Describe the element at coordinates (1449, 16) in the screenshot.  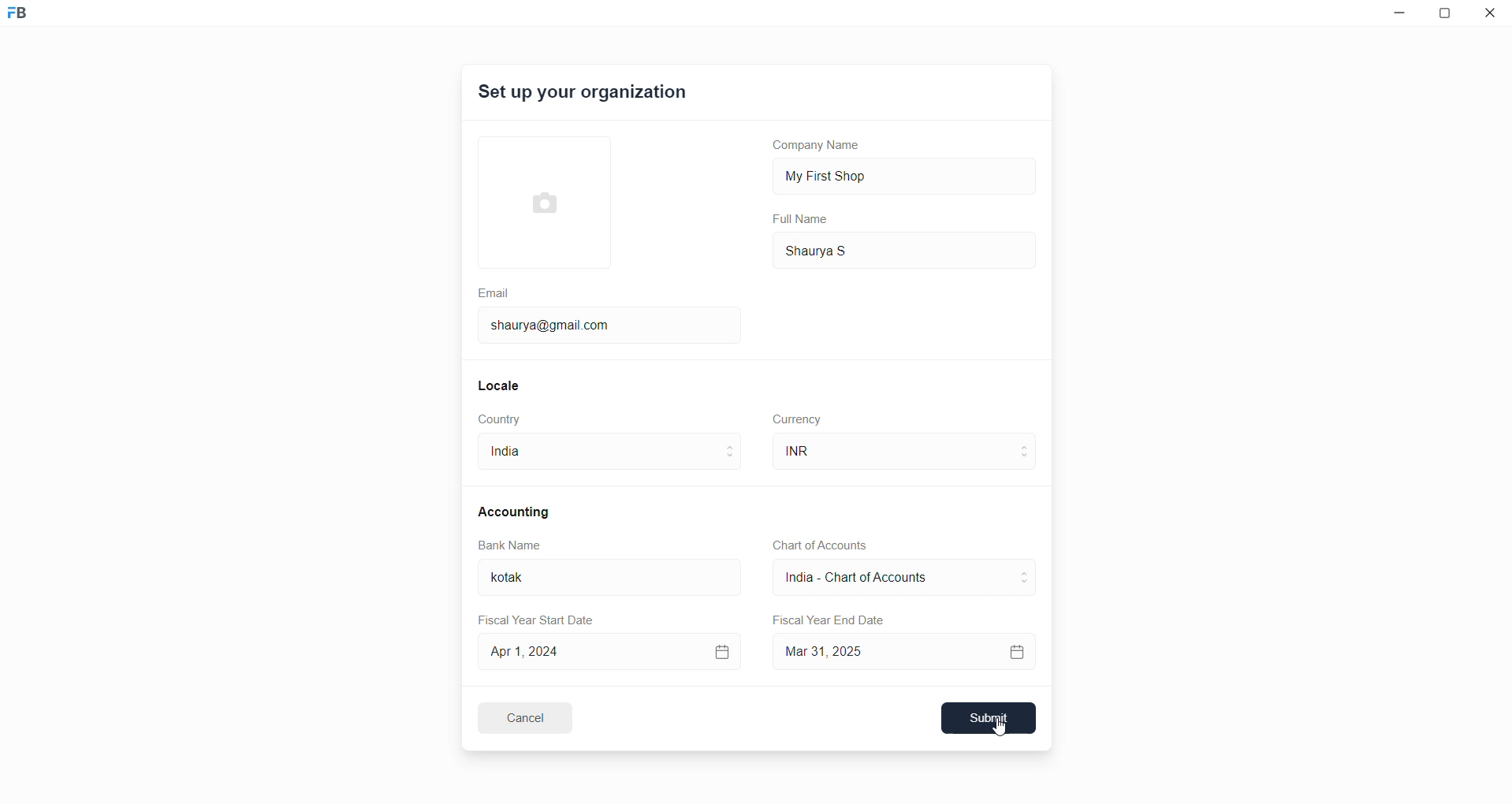
I see `resize ` at that location.